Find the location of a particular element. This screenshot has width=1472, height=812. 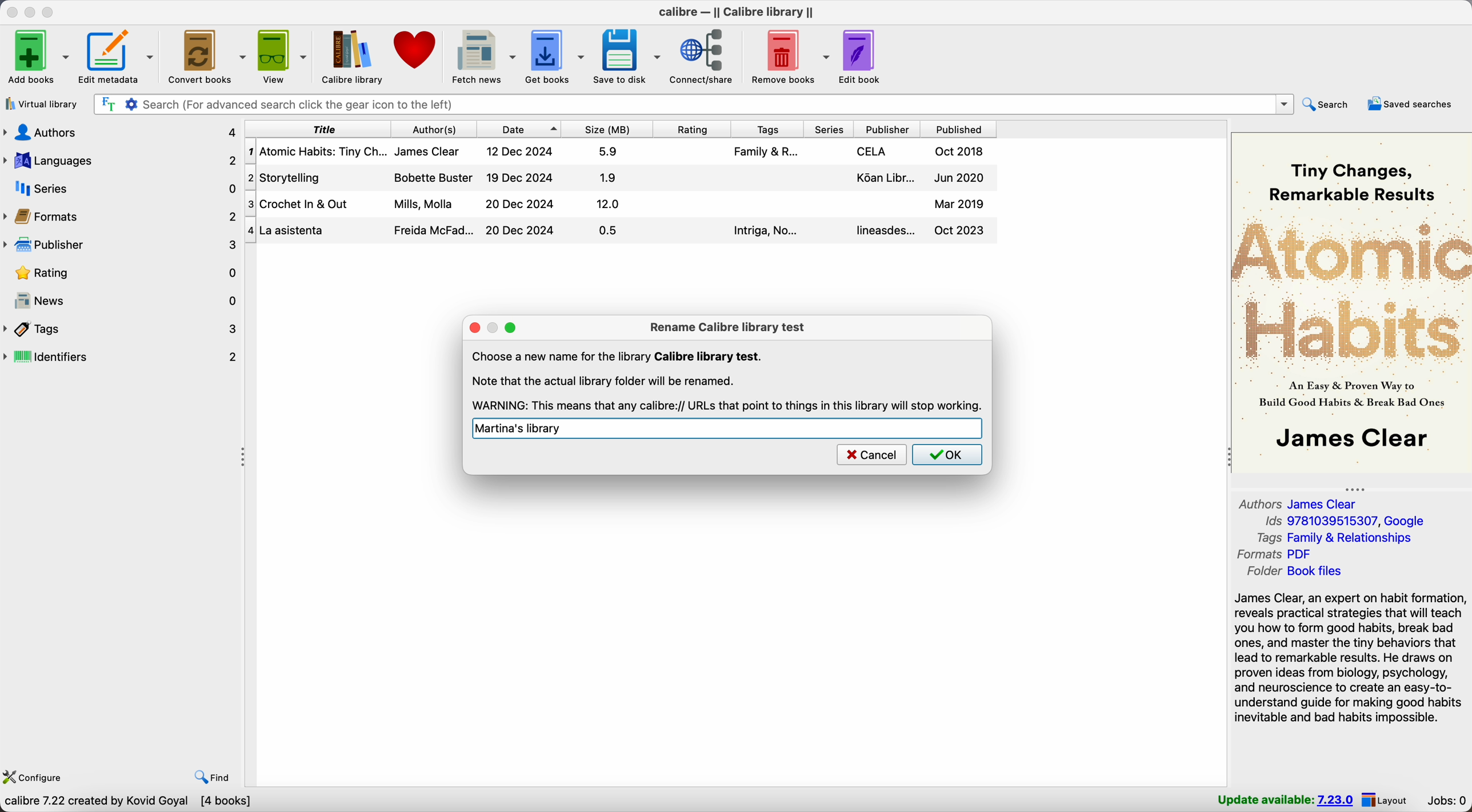

saved searches is located at coordinates (1410, 105).